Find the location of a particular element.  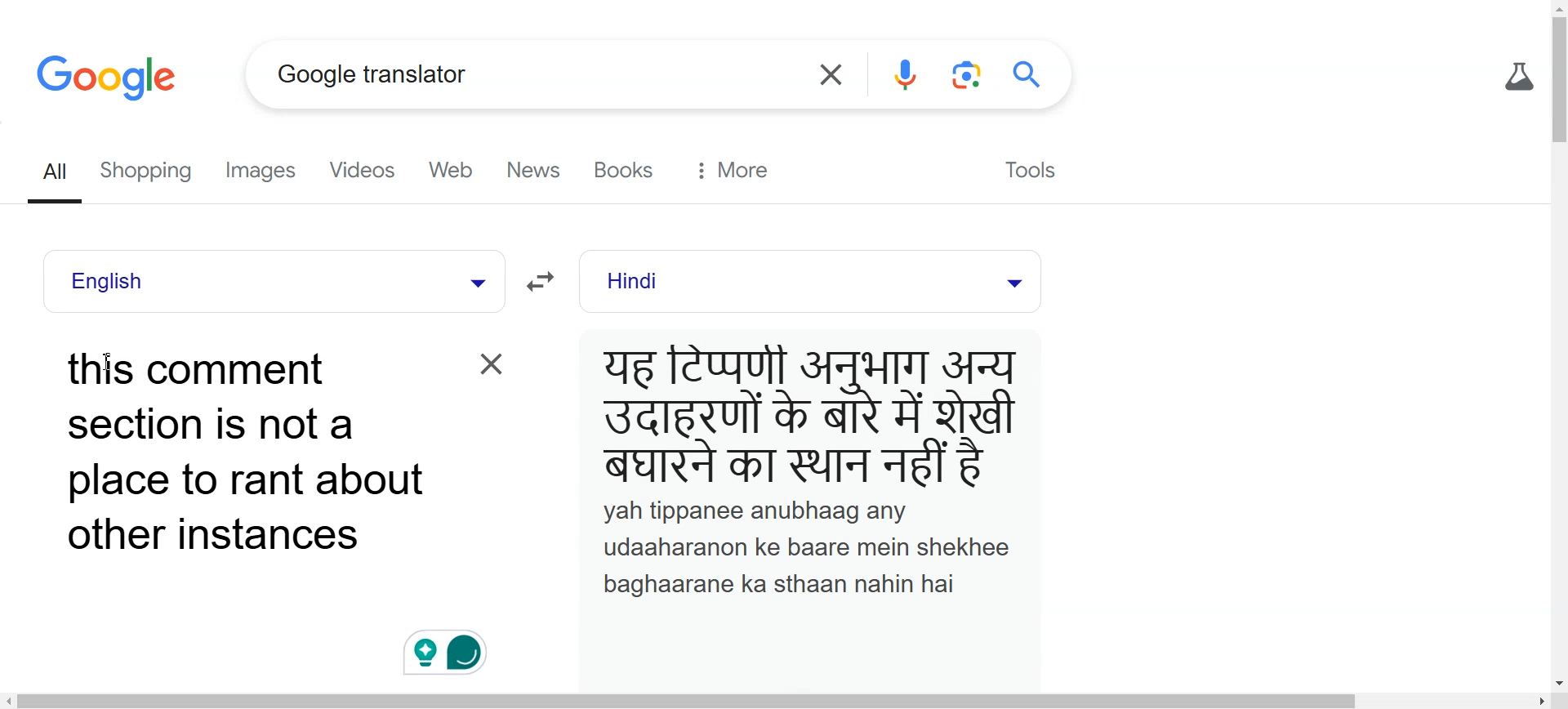

All is located at coordinates (58, 173).